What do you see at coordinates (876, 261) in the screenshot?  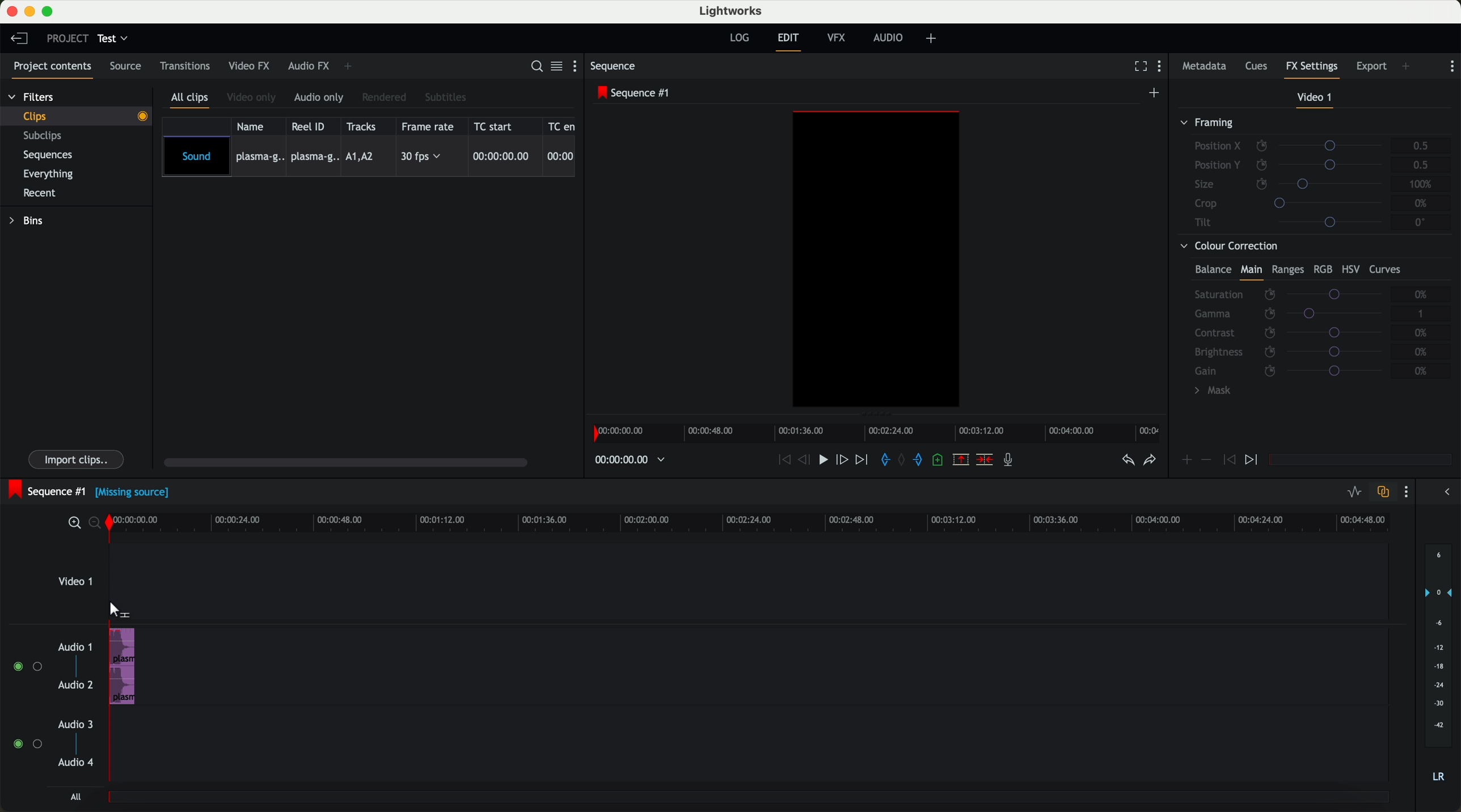 I see `workspace` at bounding box center [876, 261].